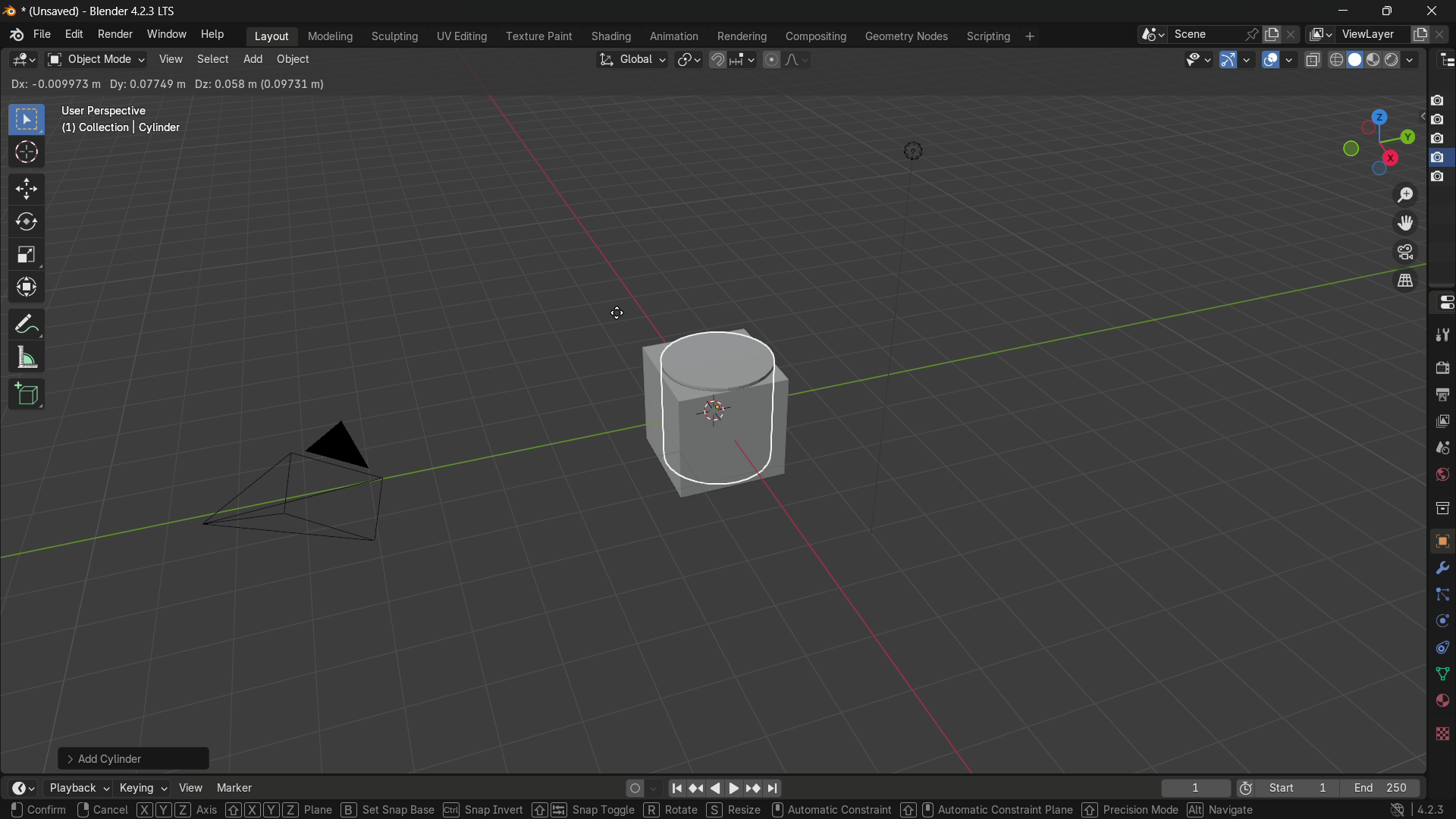  I want to click on timeline, so click(22, 780).